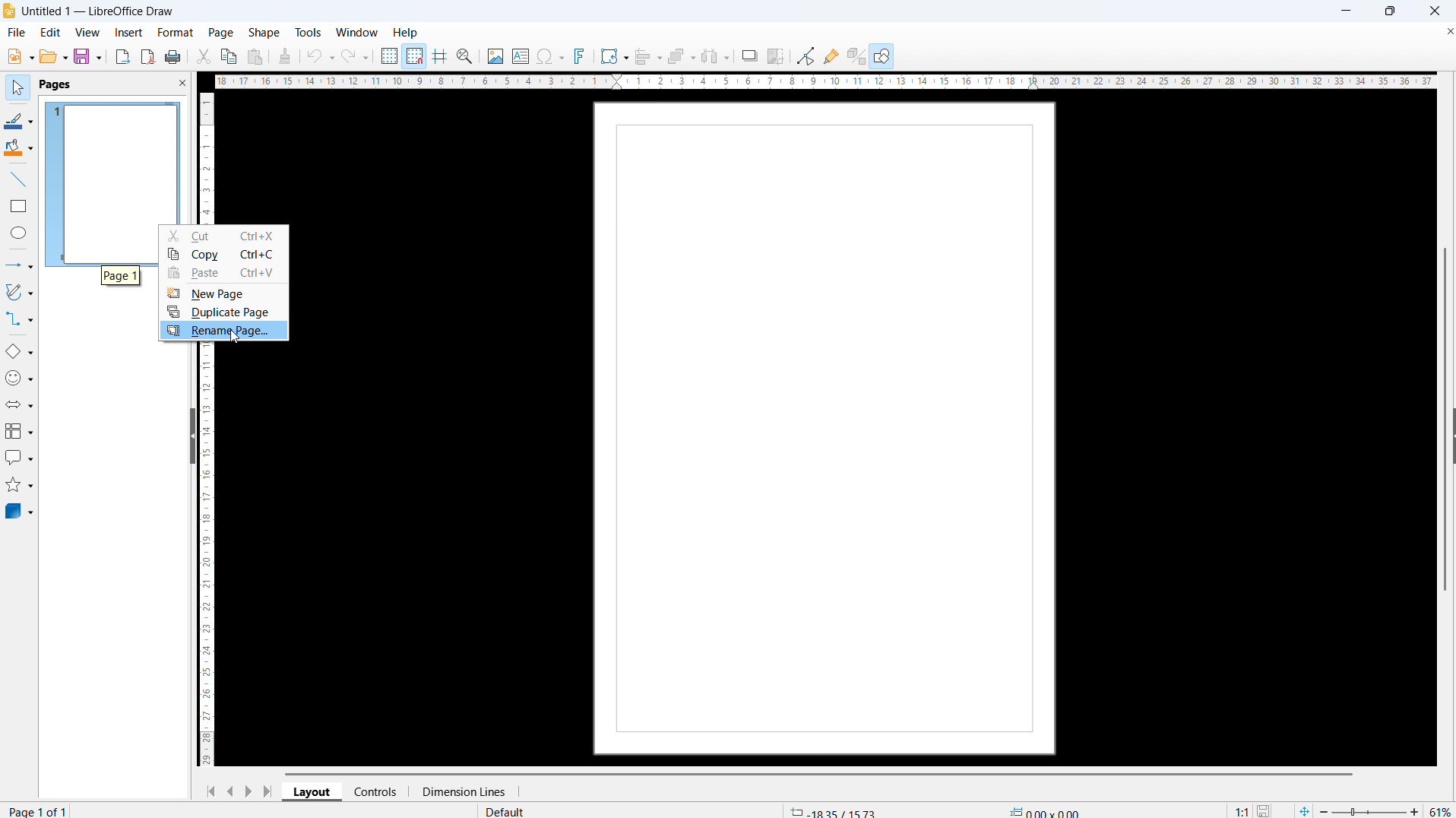  What do you see at coordinates (1447, 438) in the screenshot?
I see `Sidebar` at bounding box center [1447, 438].